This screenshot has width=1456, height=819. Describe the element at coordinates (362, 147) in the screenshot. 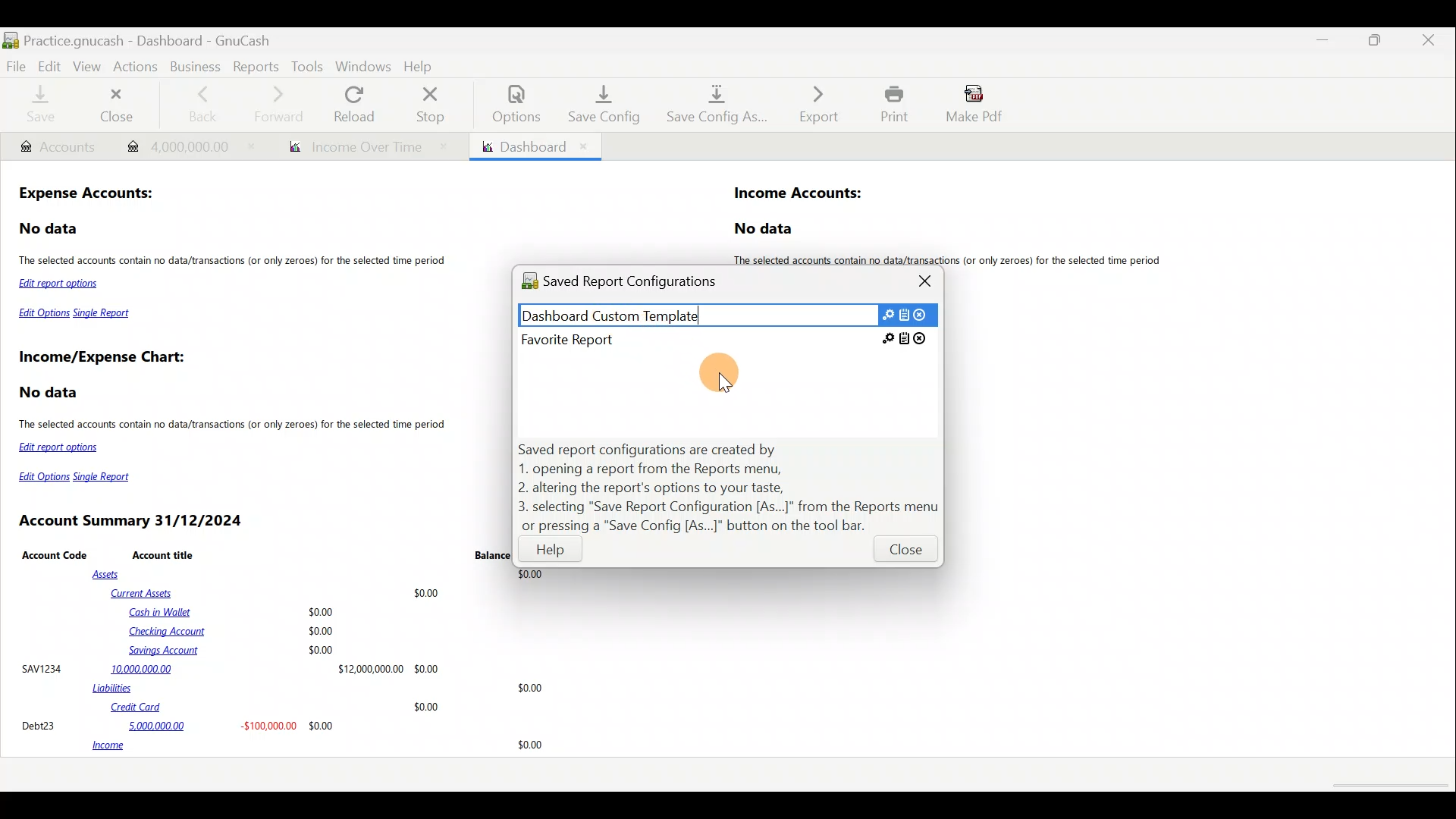

I see `Report` at that location.